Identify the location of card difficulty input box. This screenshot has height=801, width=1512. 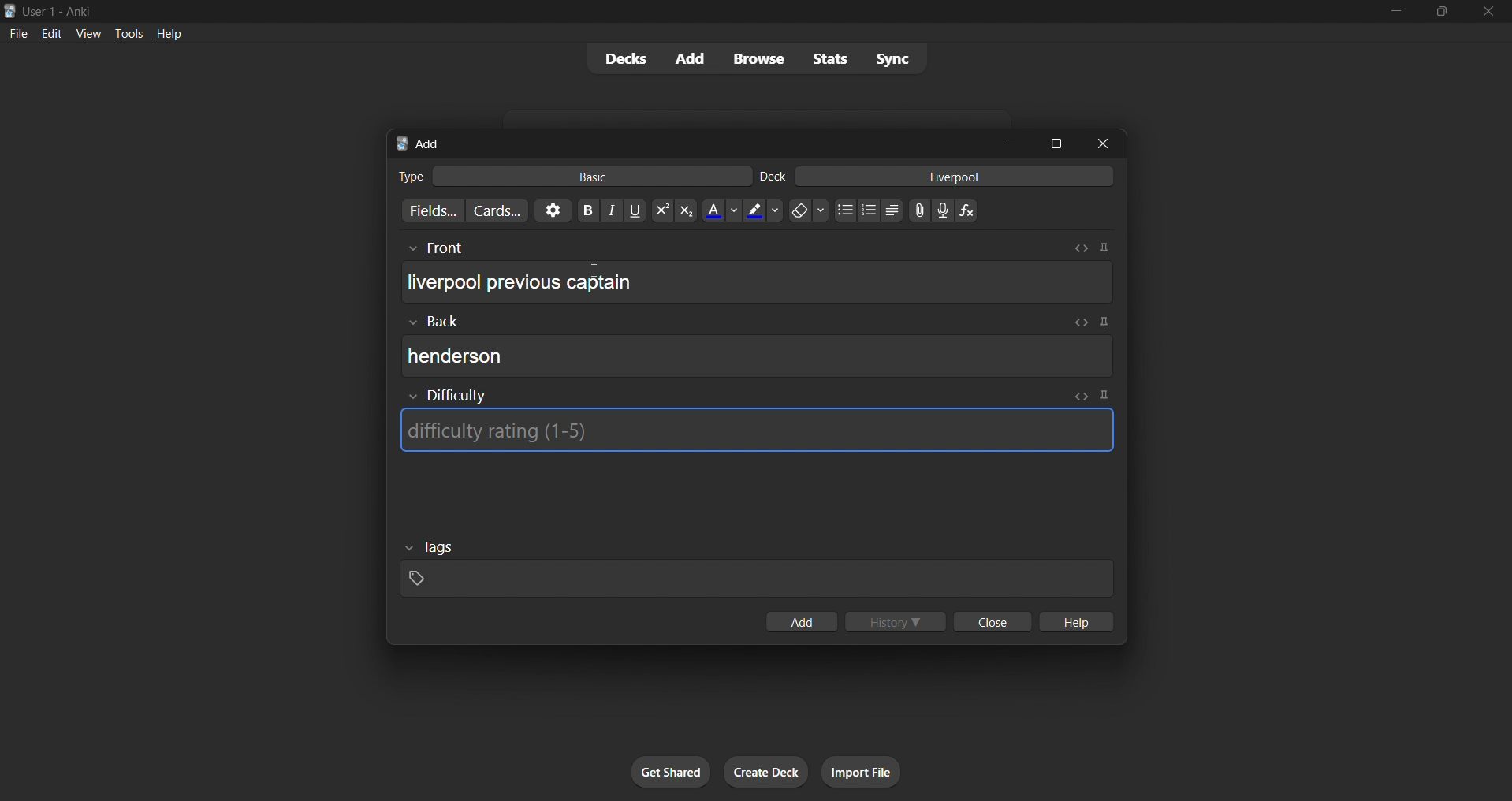
(756, 423).